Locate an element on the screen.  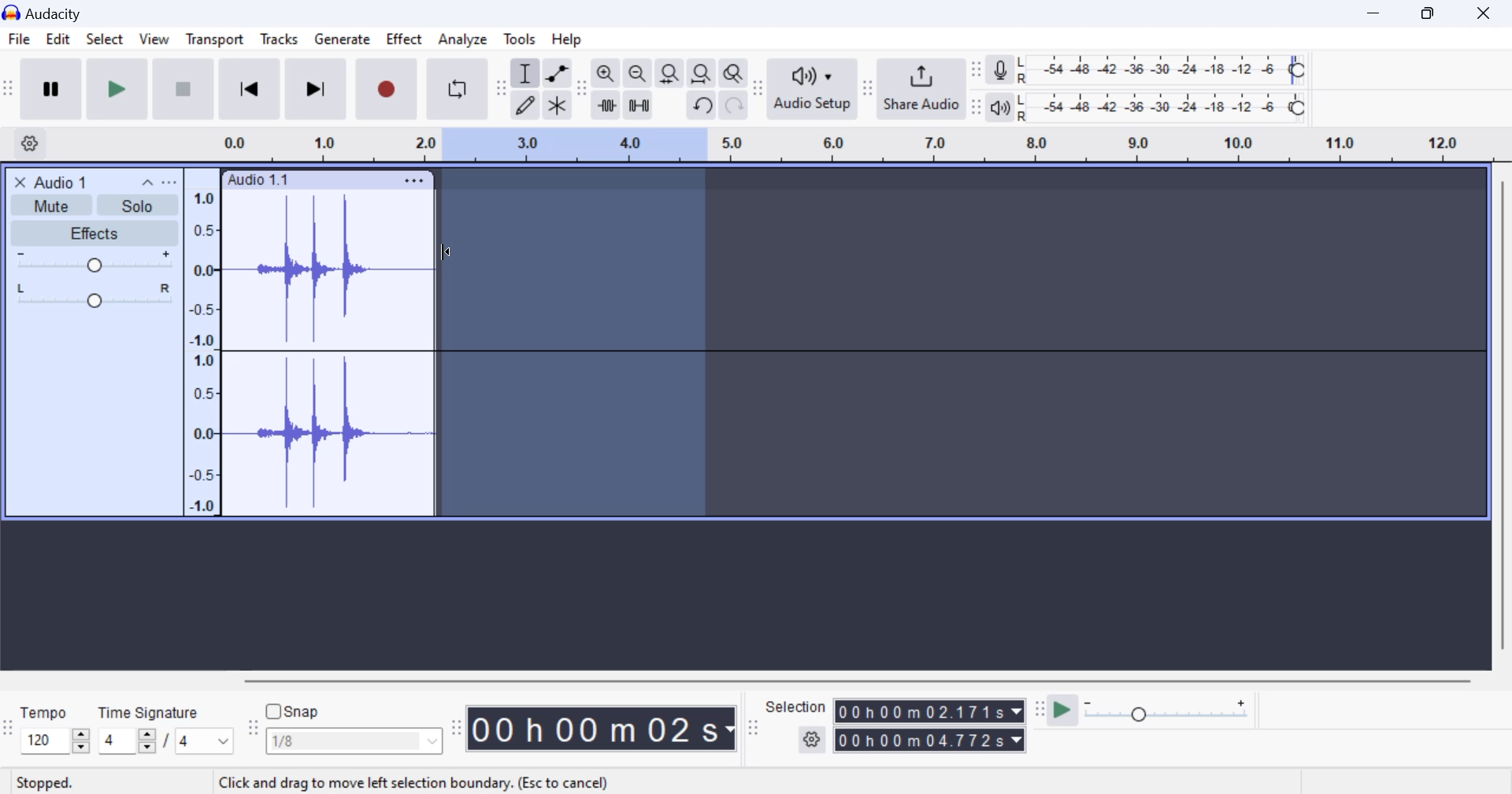
zoom toggle is located at coordinates (735, 75).